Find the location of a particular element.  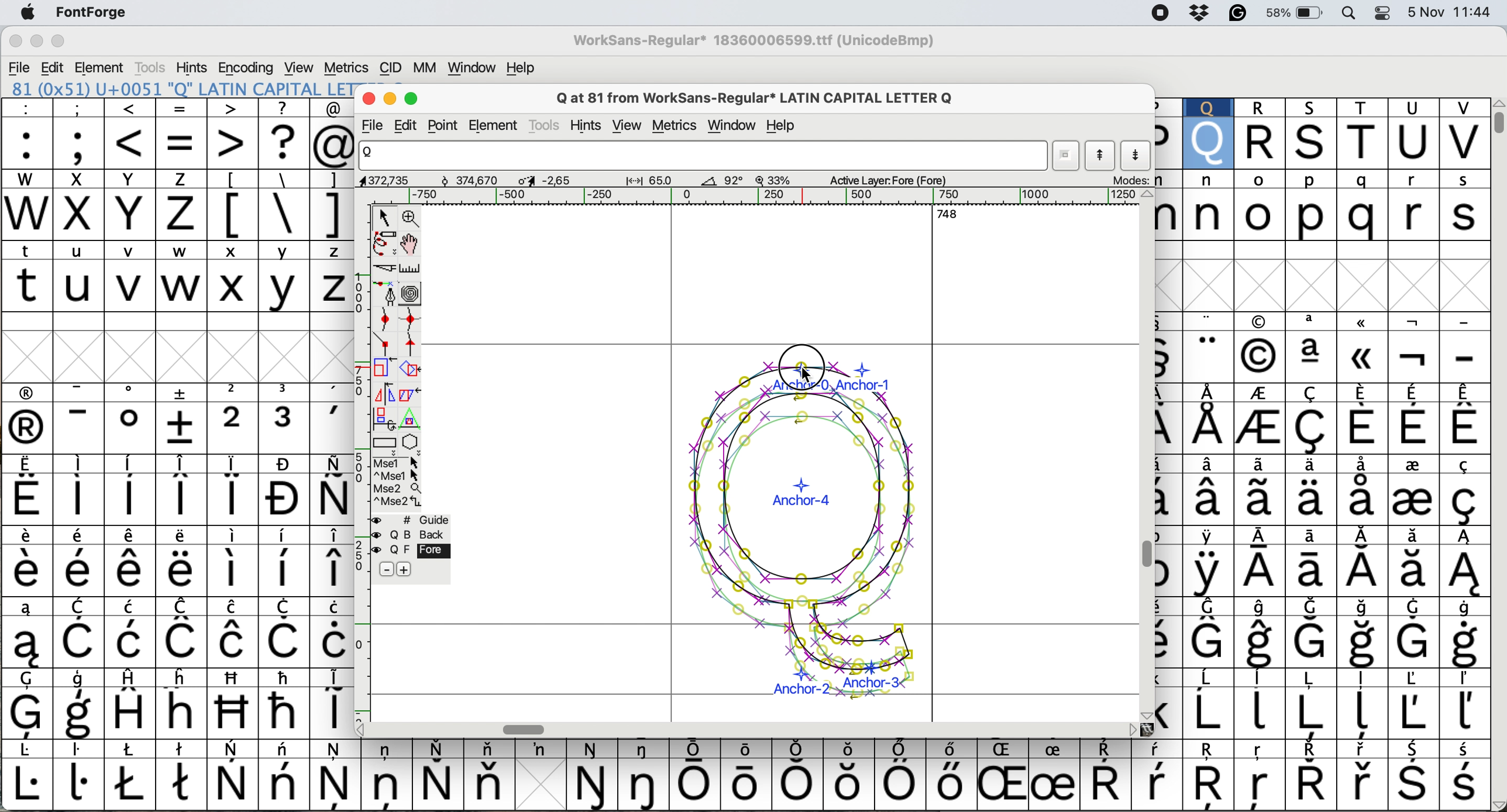

point is located at coordinates (446, 125).